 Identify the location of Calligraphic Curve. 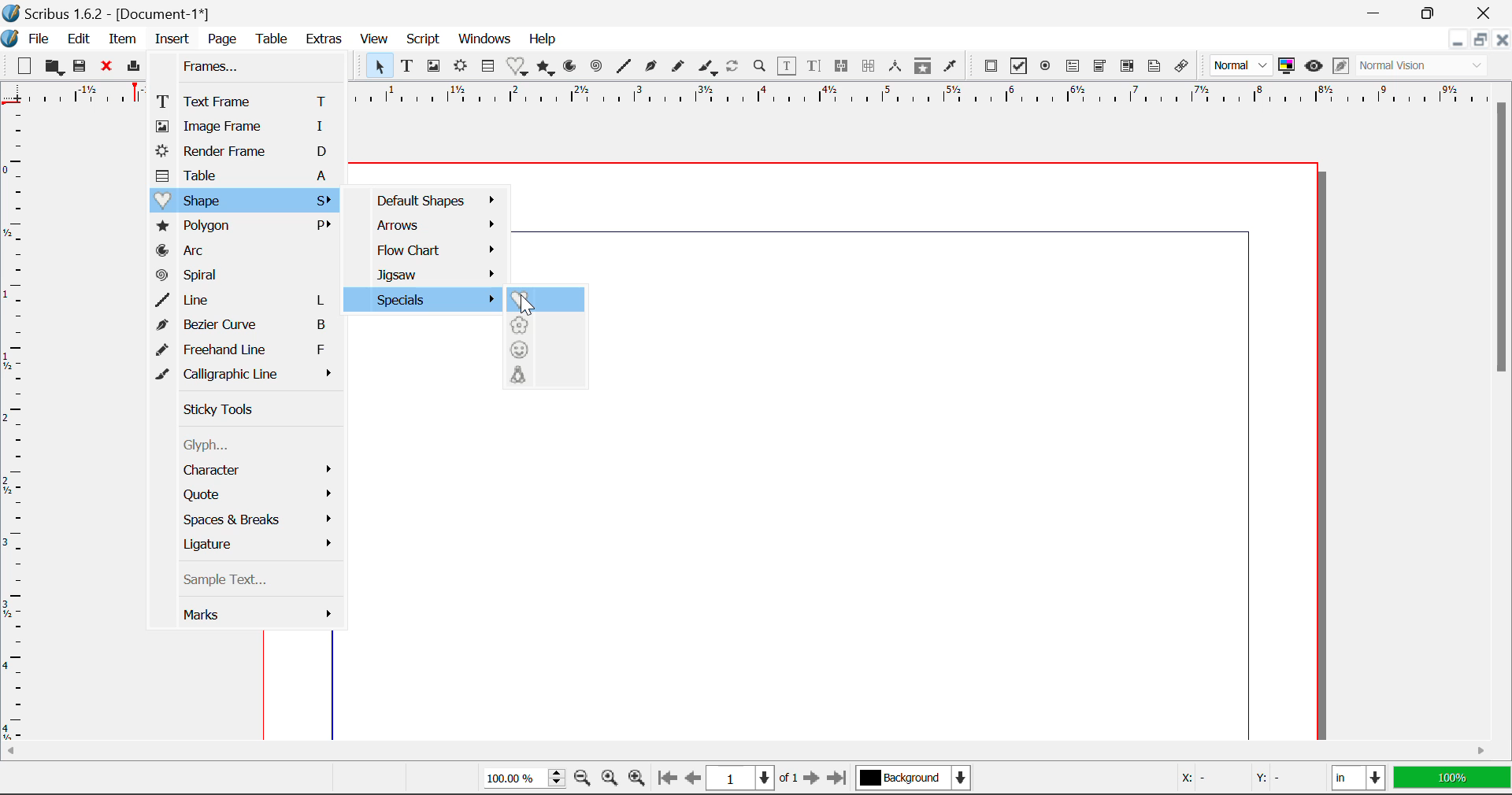
(708, 69).